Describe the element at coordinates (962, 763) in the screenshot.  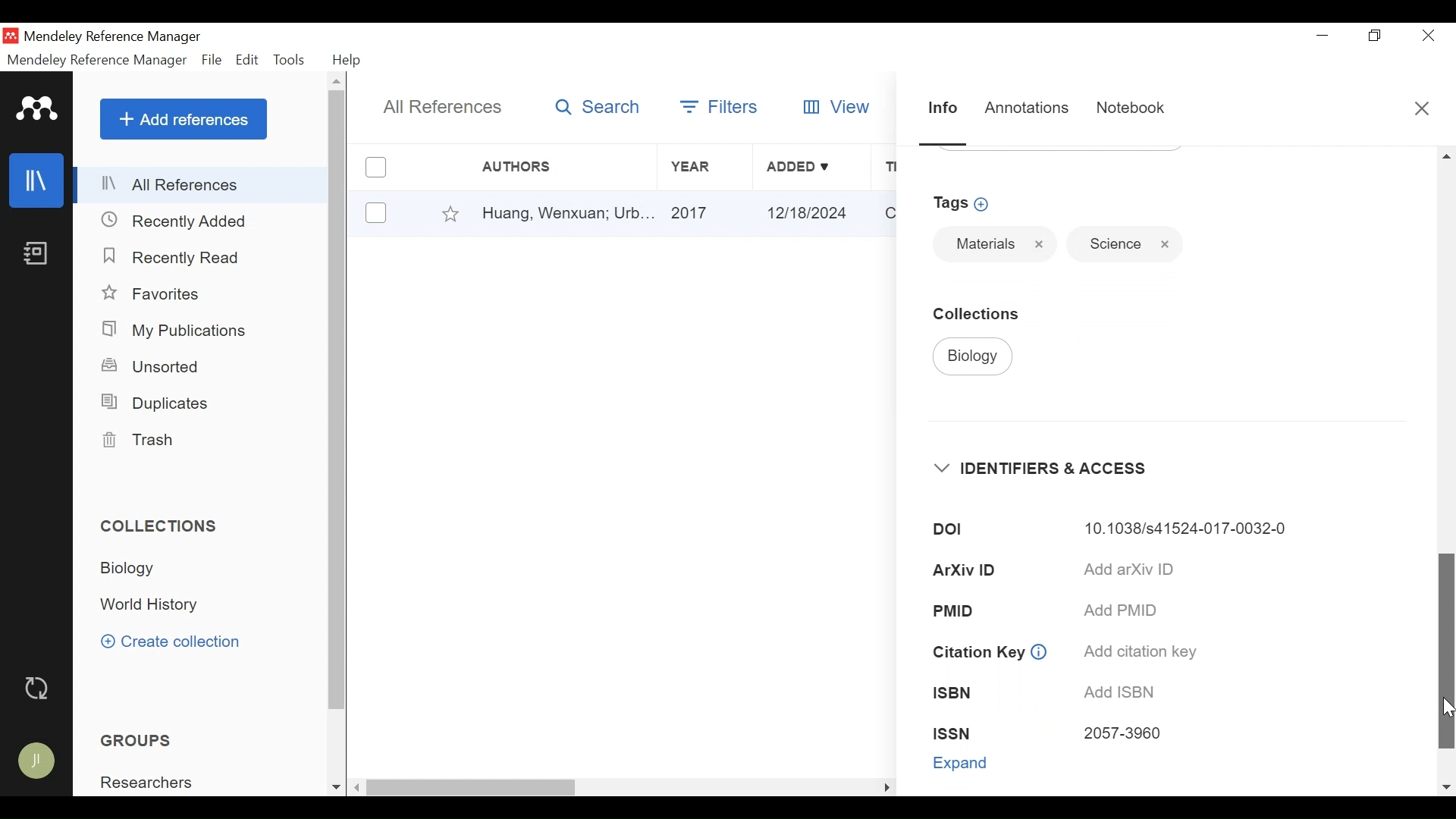
I see `Expand` at that location.